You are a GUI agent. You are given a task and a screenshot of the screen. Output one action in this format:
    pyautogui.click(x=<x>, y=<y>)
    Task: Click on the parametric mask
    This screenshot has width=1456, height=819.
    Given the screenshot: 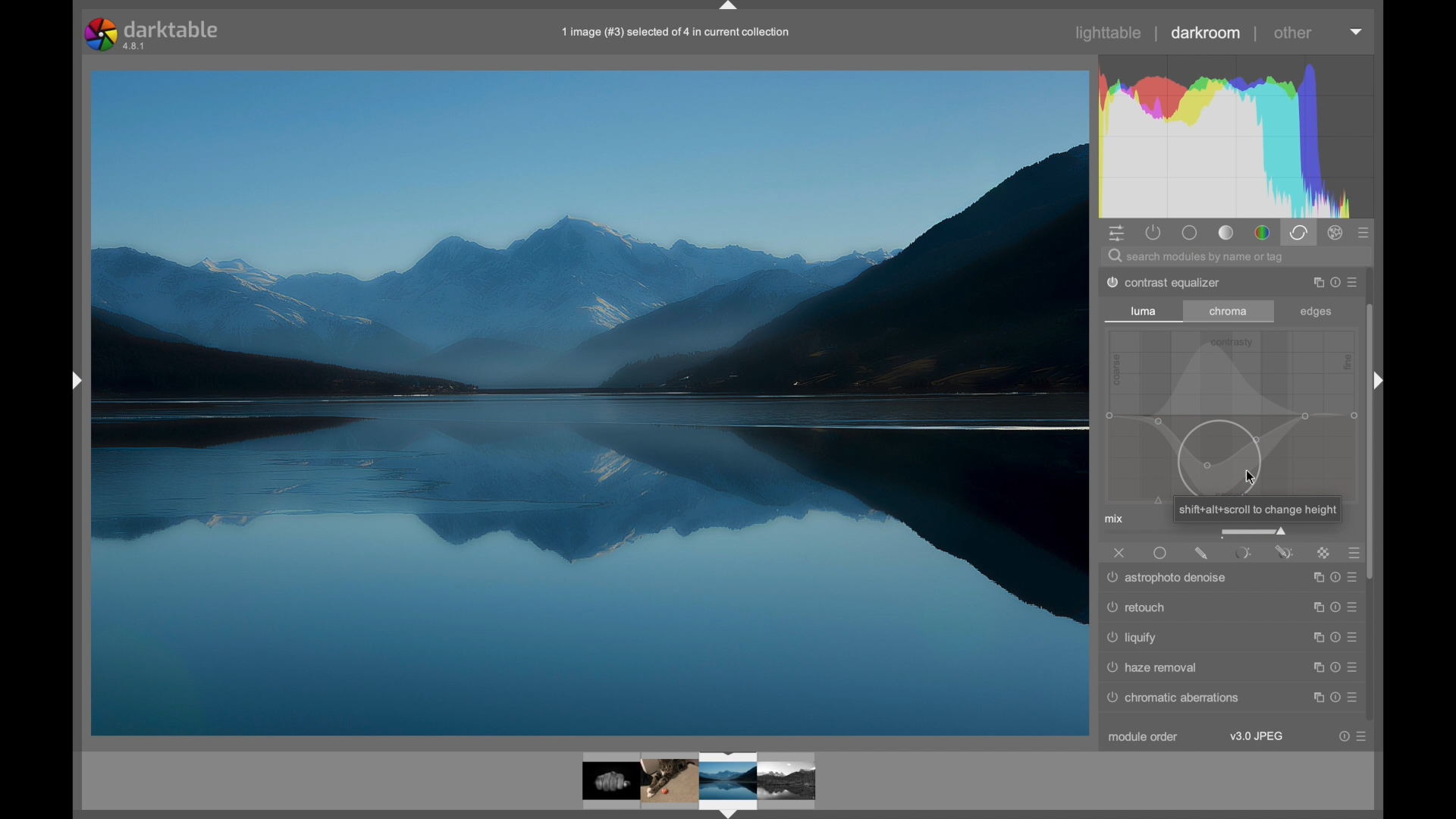 What is the action you would take?
    pyautogui.click(x=1242, y=553)
    